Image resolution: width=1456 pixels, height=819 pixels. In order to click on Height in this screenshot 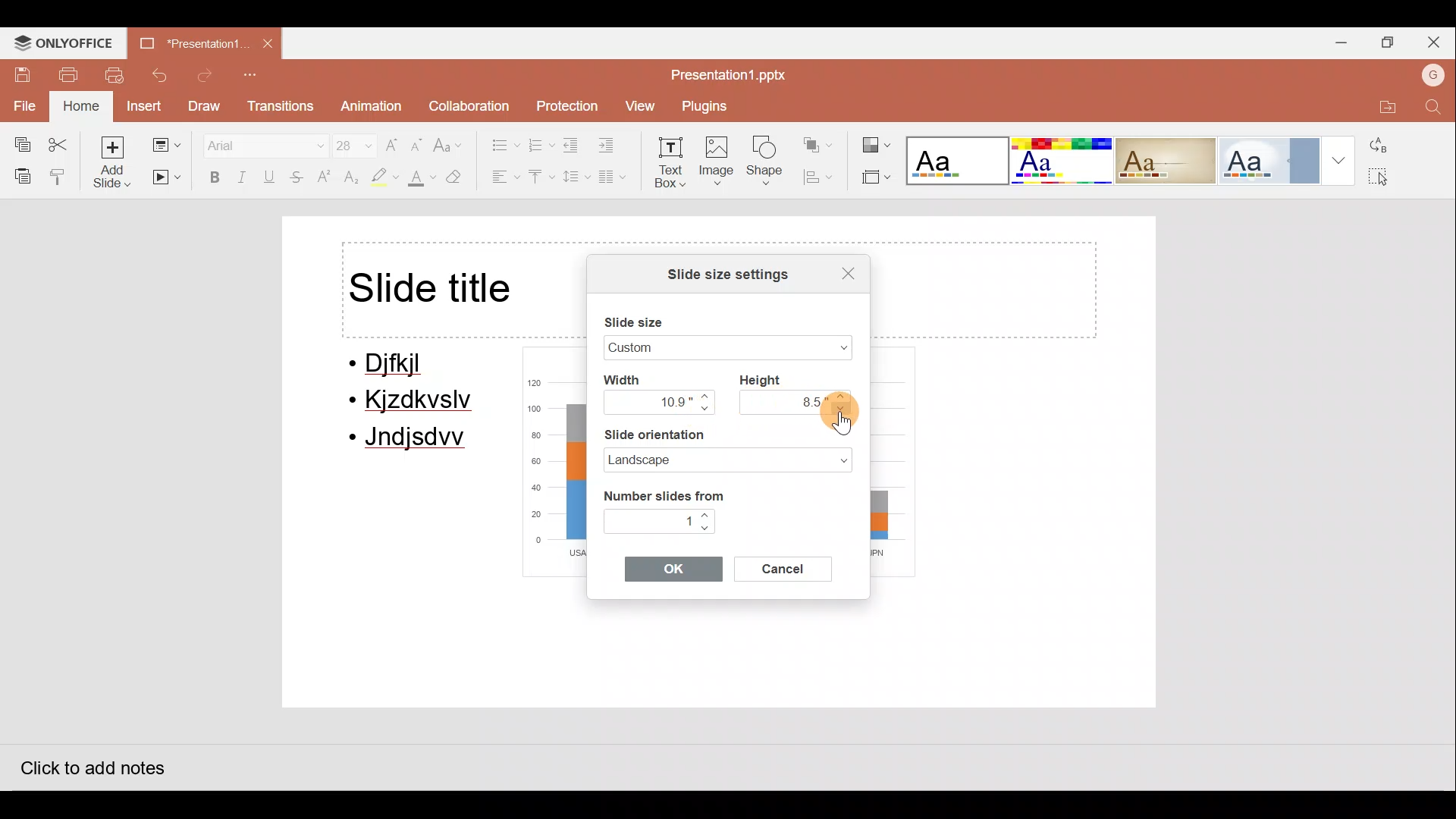, I will do `click(767, 378)`.